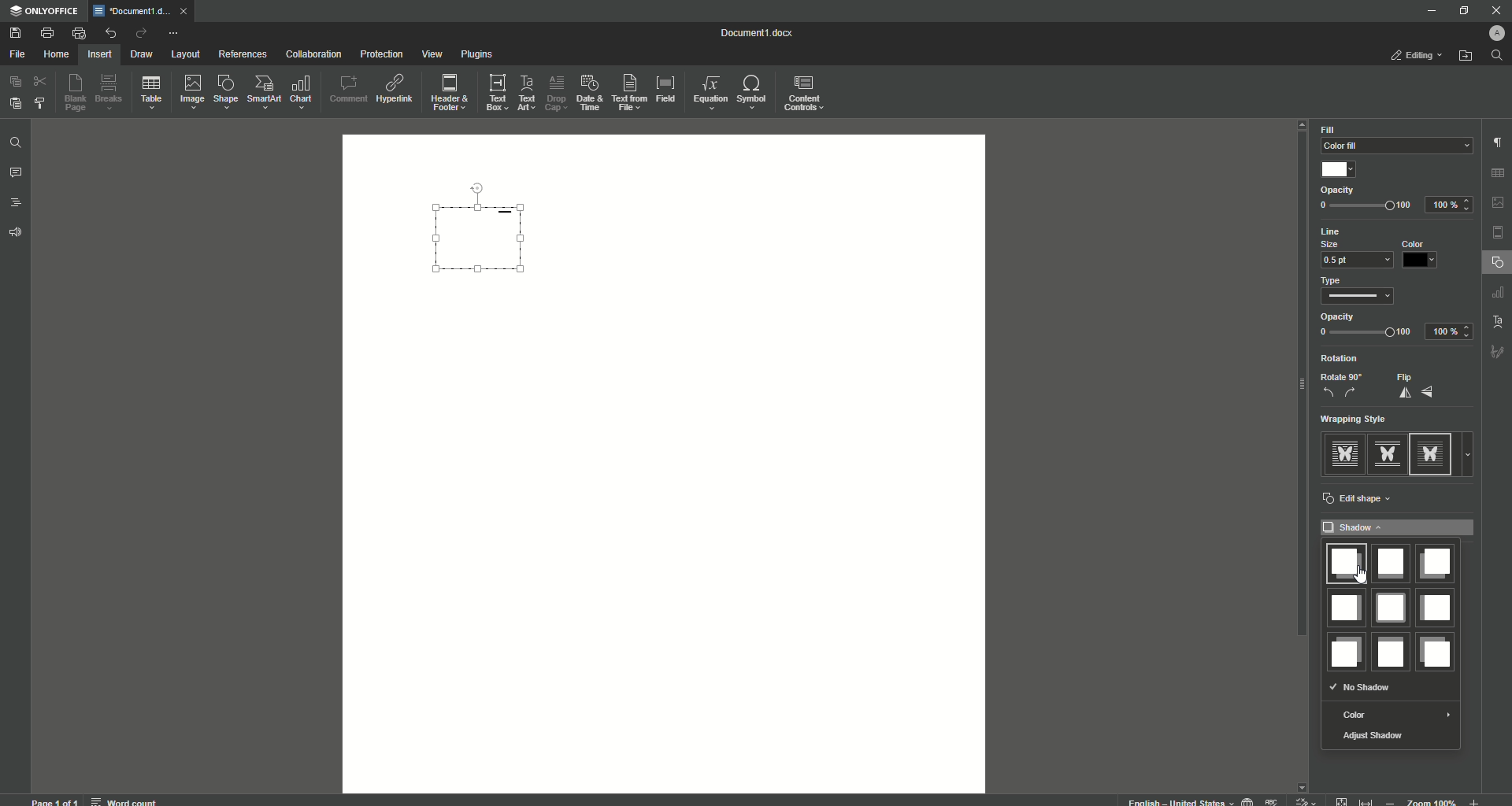 This screenshot has height=806, width=1512. I want to click on Collaboration, so click(313, 56).